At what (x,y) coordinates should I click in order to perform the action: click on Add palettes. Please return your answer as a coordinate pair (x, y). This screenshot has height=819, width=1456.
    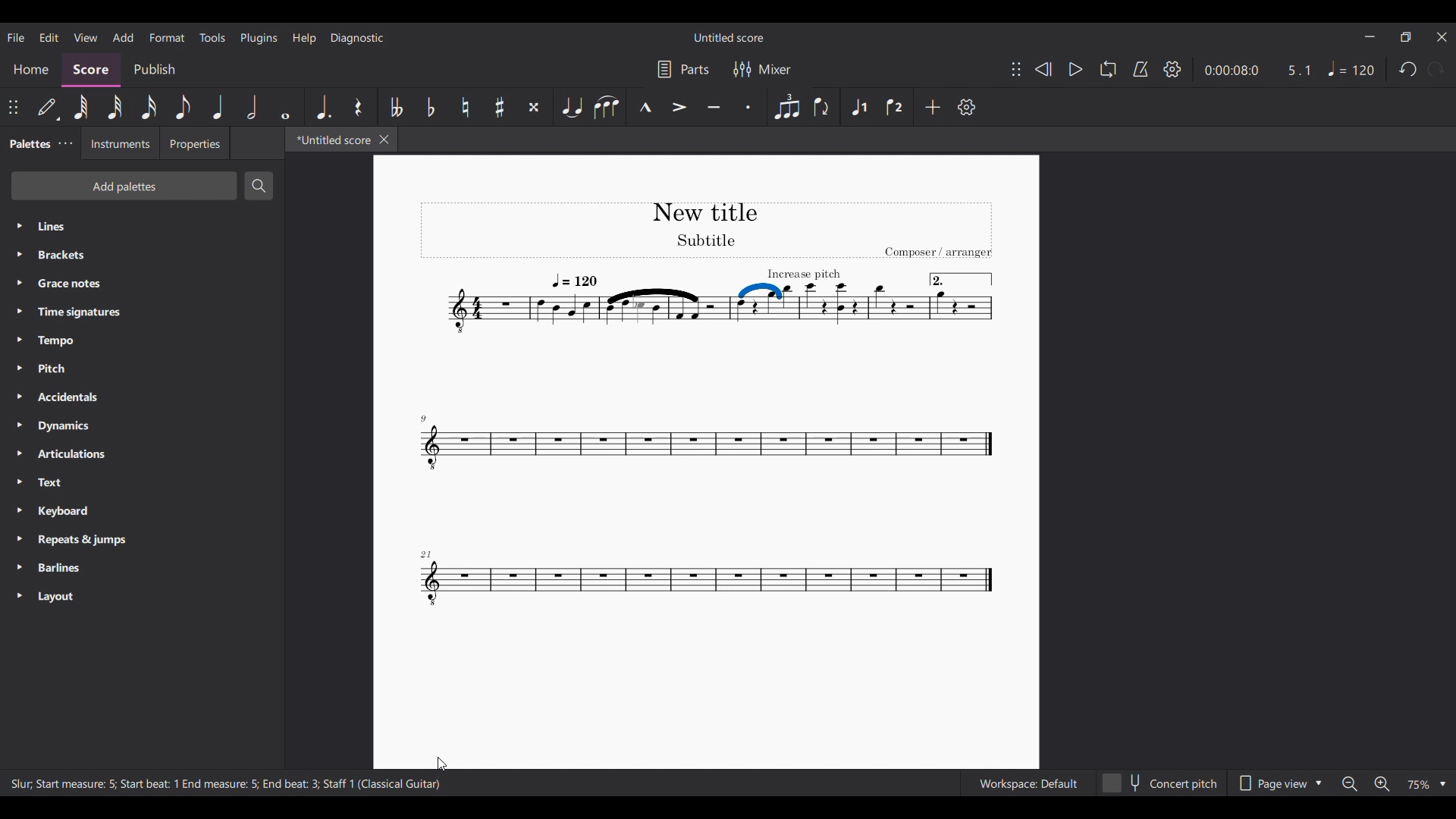
    Looking at the image, I should click on (124, 187).